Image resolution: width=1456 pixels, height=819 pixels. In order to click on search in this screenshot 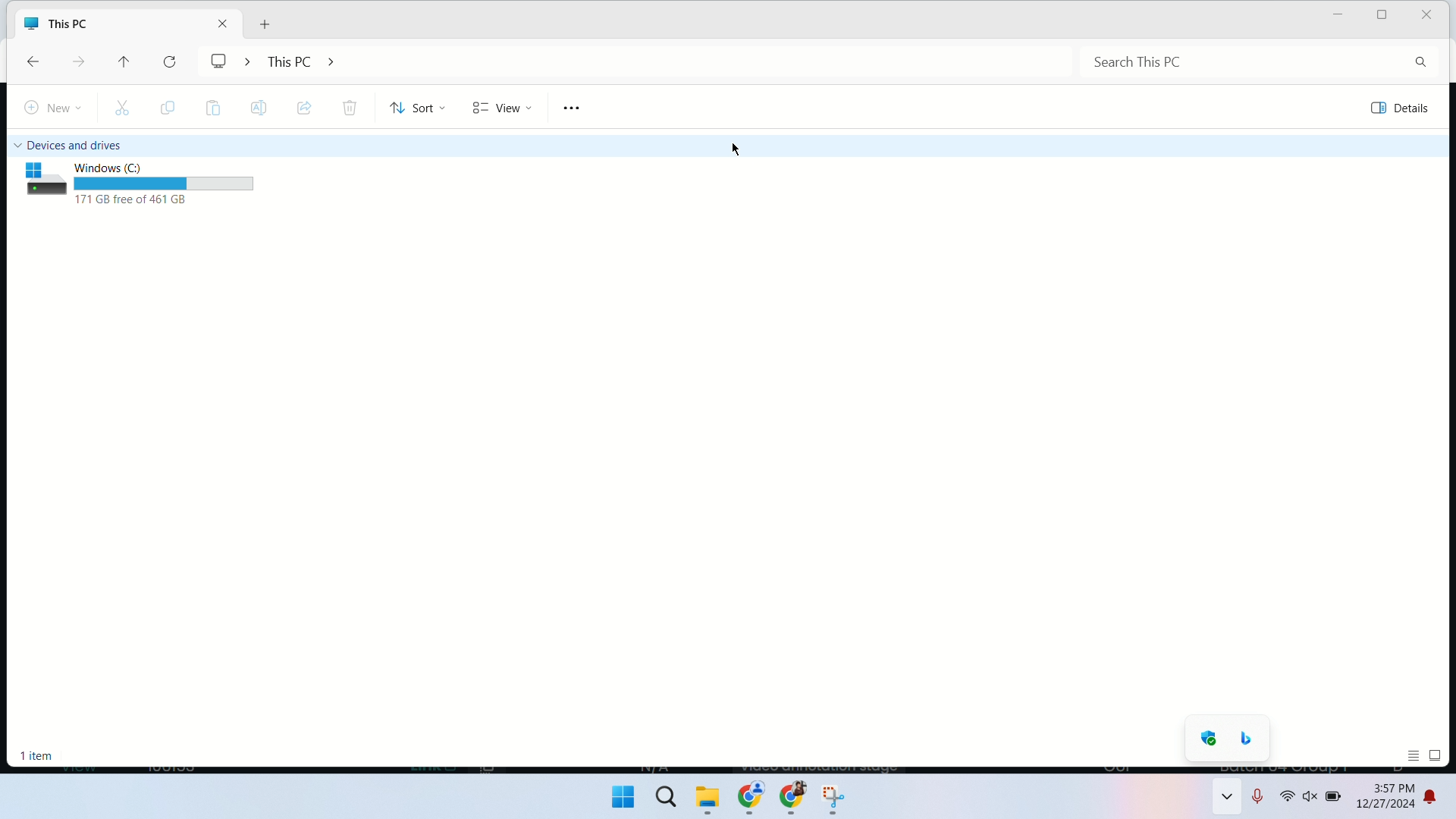, I will do `click(664, 798)`.